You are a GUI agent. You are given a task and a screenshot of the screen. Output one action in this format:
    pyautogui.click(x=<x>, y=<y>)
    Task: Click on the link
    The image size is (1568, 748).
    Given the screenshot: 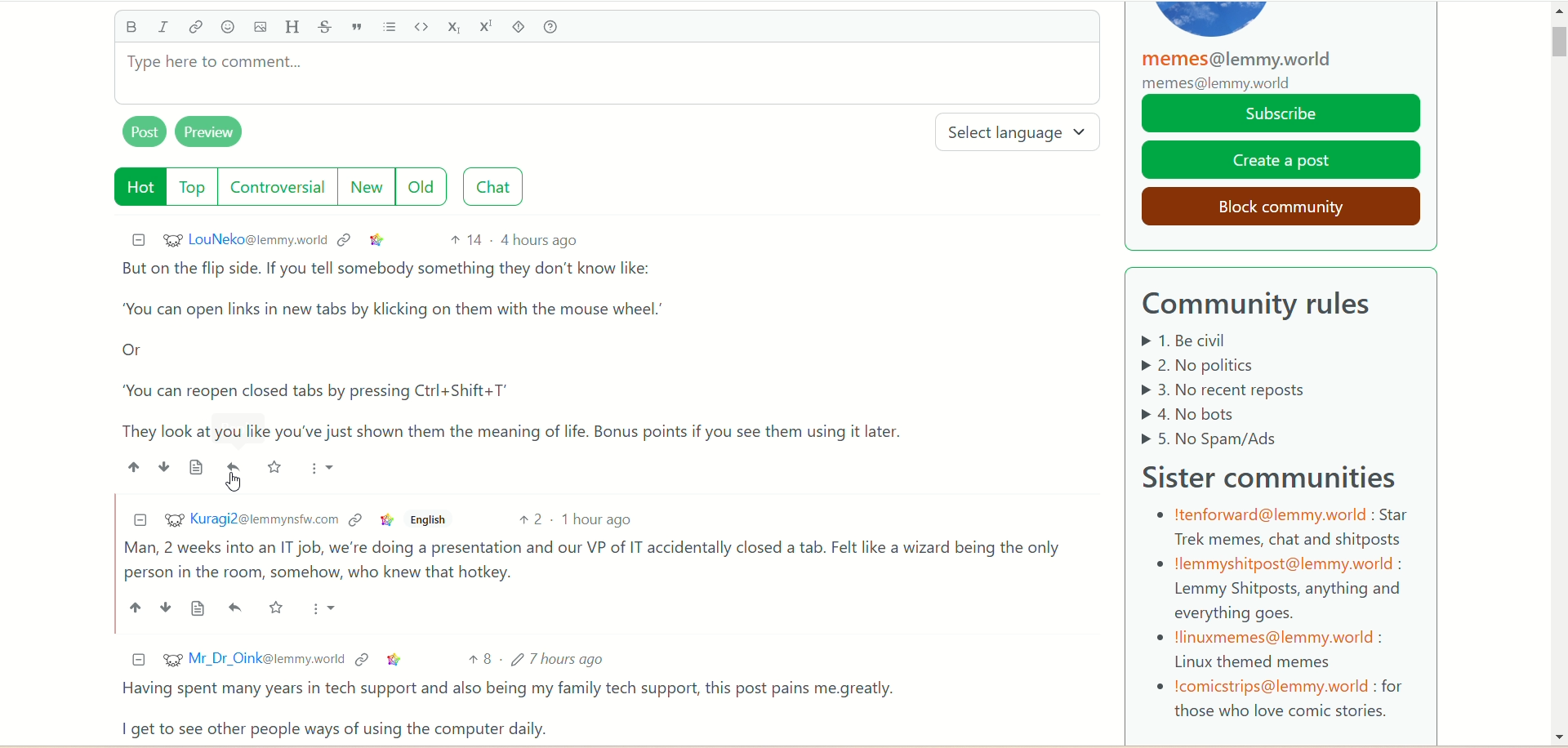 What is the action you would take?
    pyautogui.click(x=198, y=28)
    